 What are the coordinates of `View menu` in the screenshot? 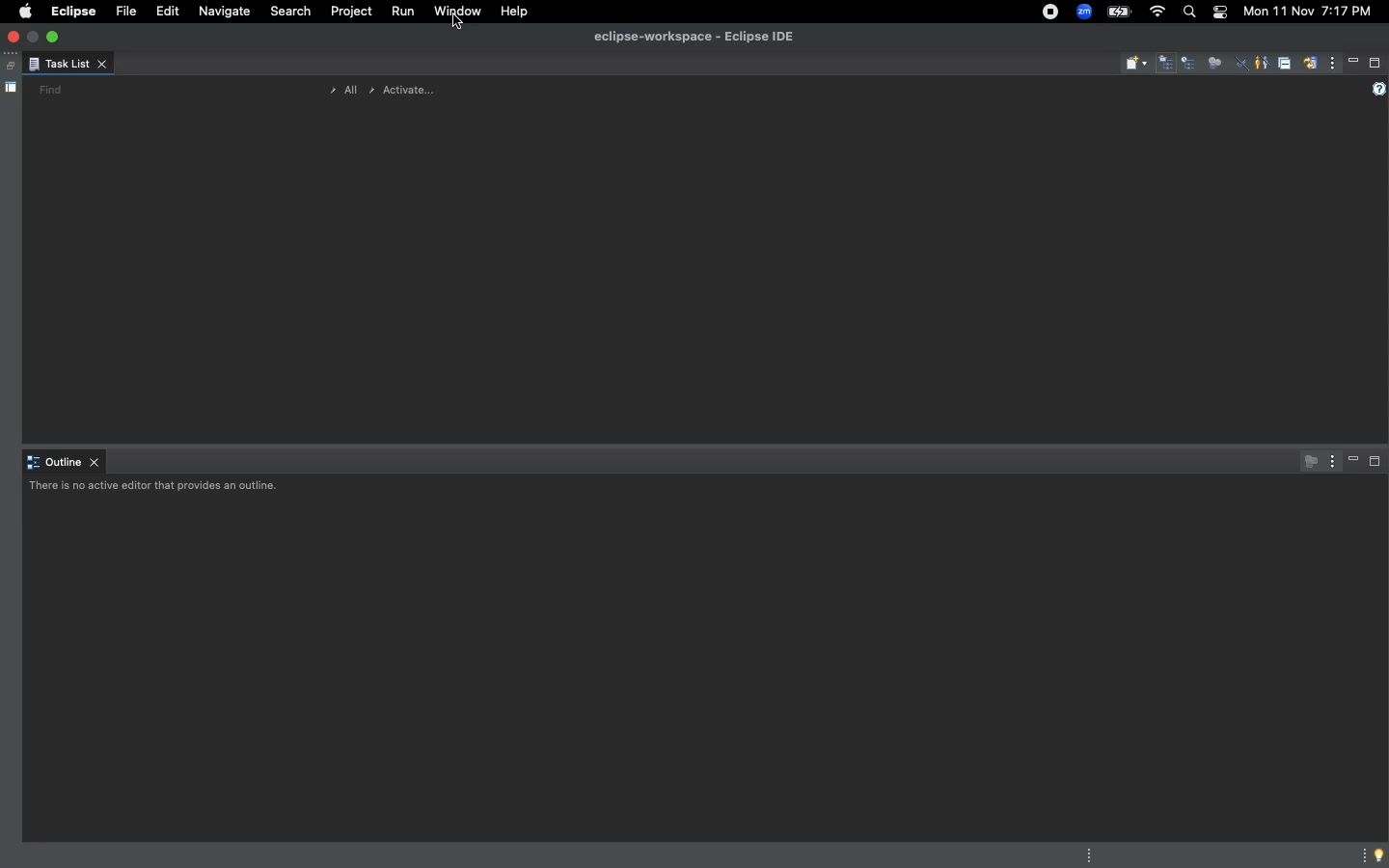 It's located at (1333, 66).